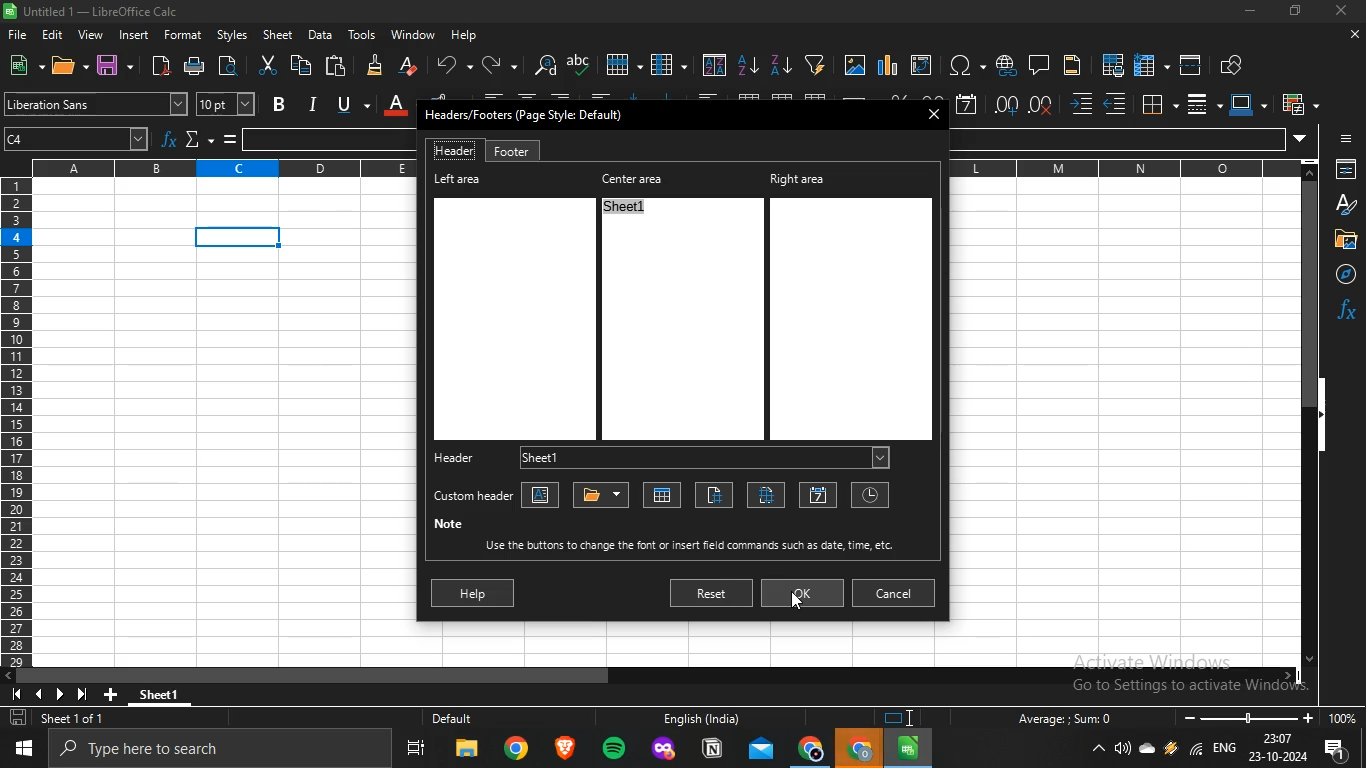  What do you see at coordinates (767, 495) in the screenshot?
I see `pages` at bounding box center [767, 495].